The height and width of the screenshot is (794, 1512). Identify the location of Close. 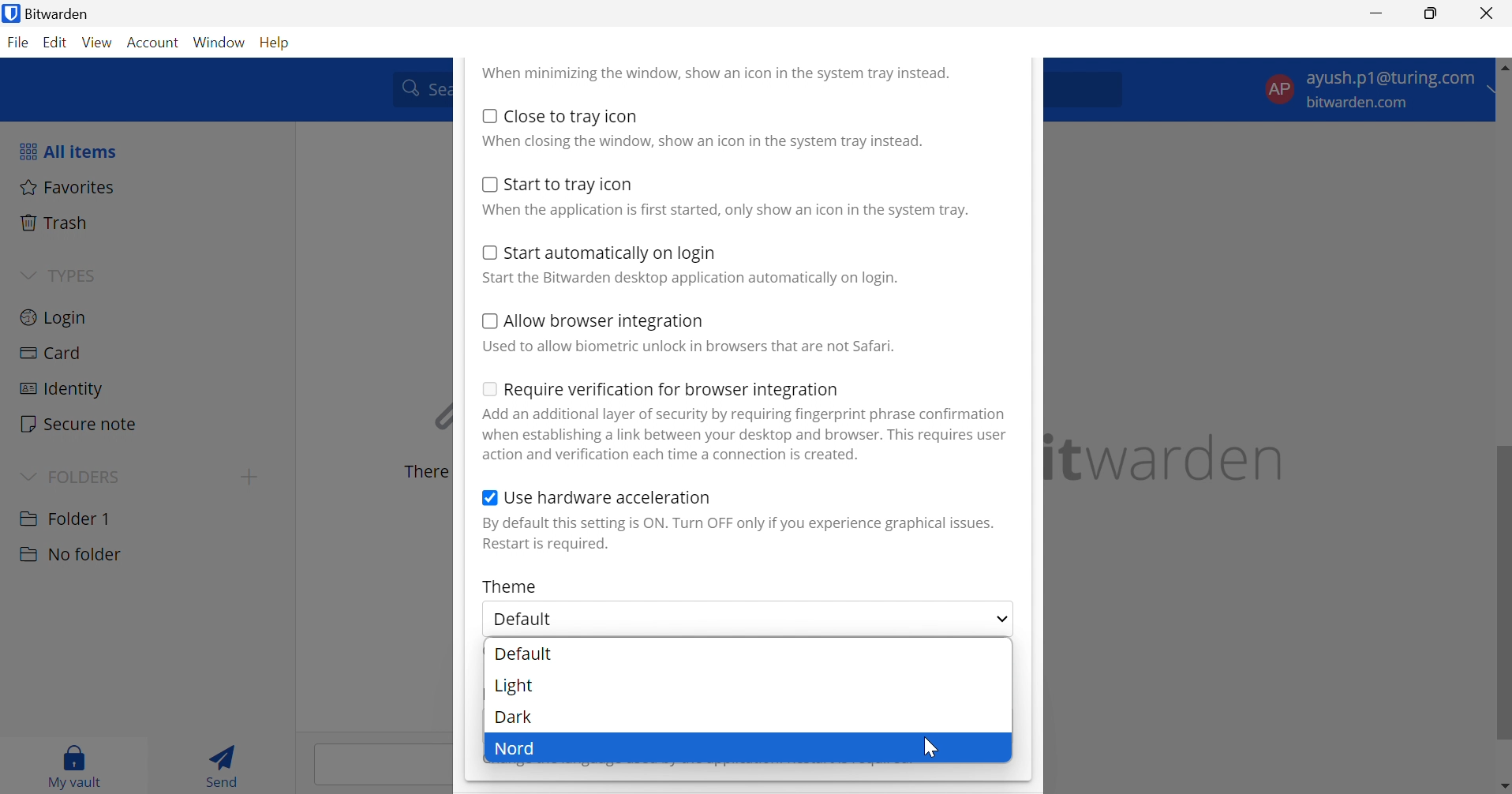
(1489, 13).